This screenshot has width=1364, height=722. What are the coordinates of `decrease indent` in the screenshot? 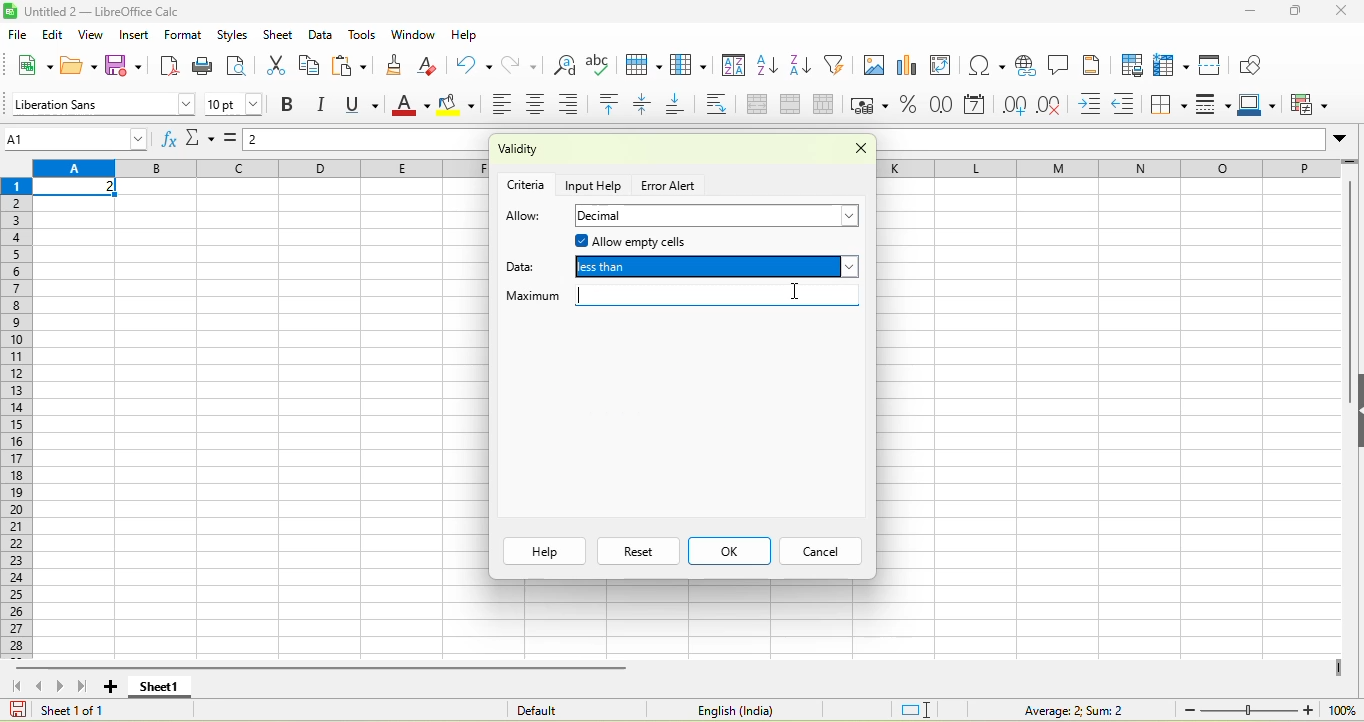 It's located at (1129, 106).